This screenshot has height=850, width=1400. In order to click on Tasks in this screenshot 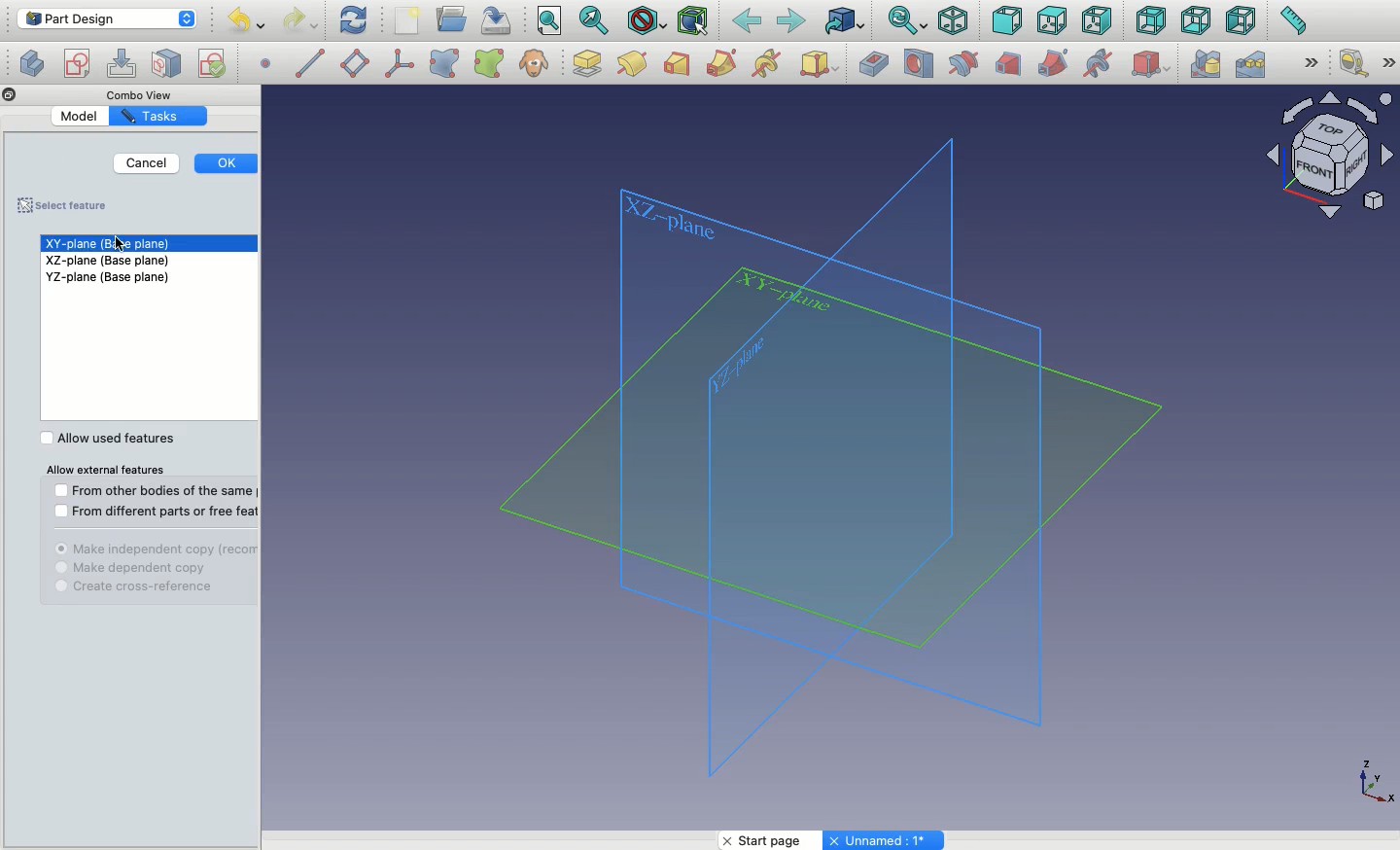, I will do `click(154, 118)`.